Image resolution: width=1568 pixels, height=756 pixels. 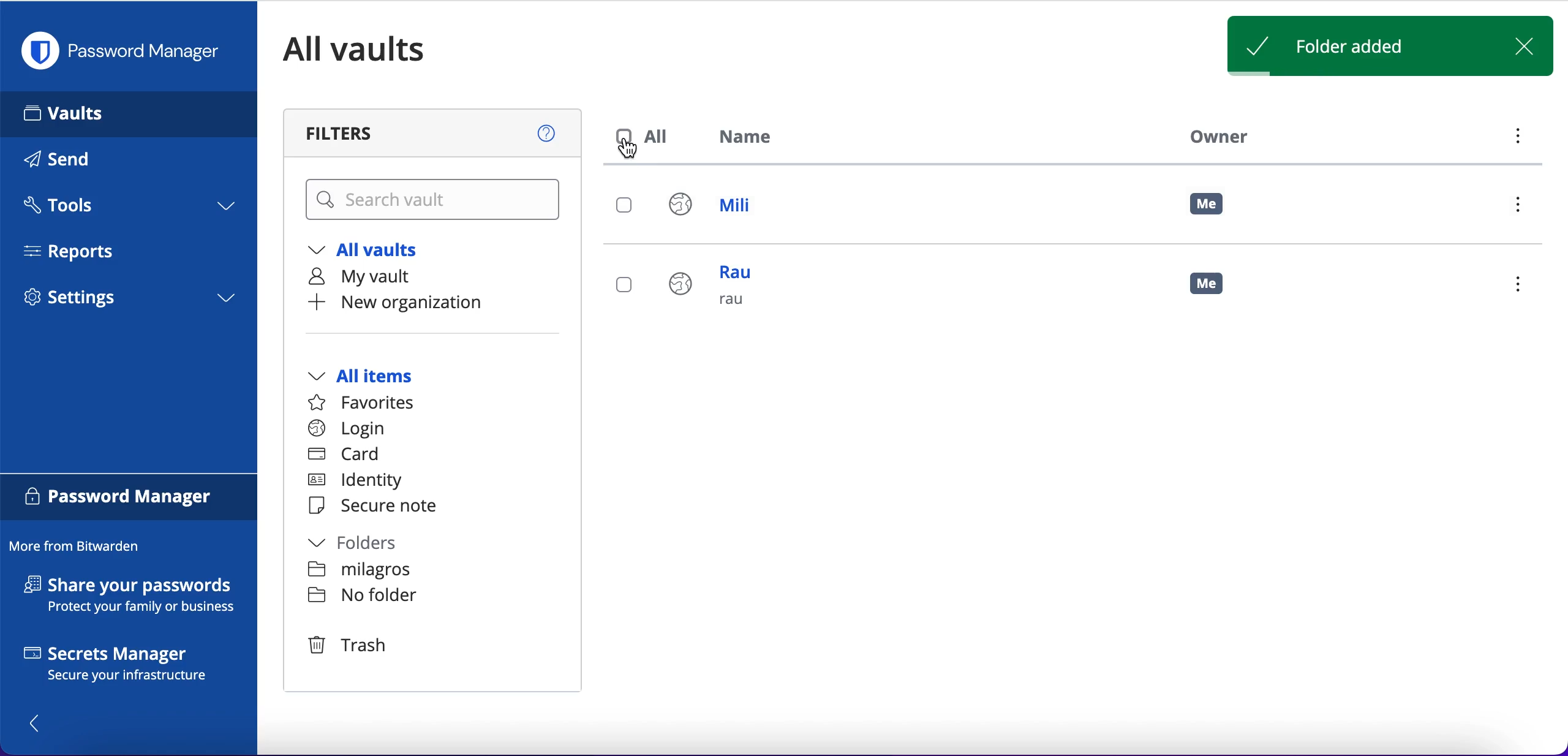 What do you see at coordinates (379, 507) in the screenshot?
I see `secure note` at bounding box center [379, 507].